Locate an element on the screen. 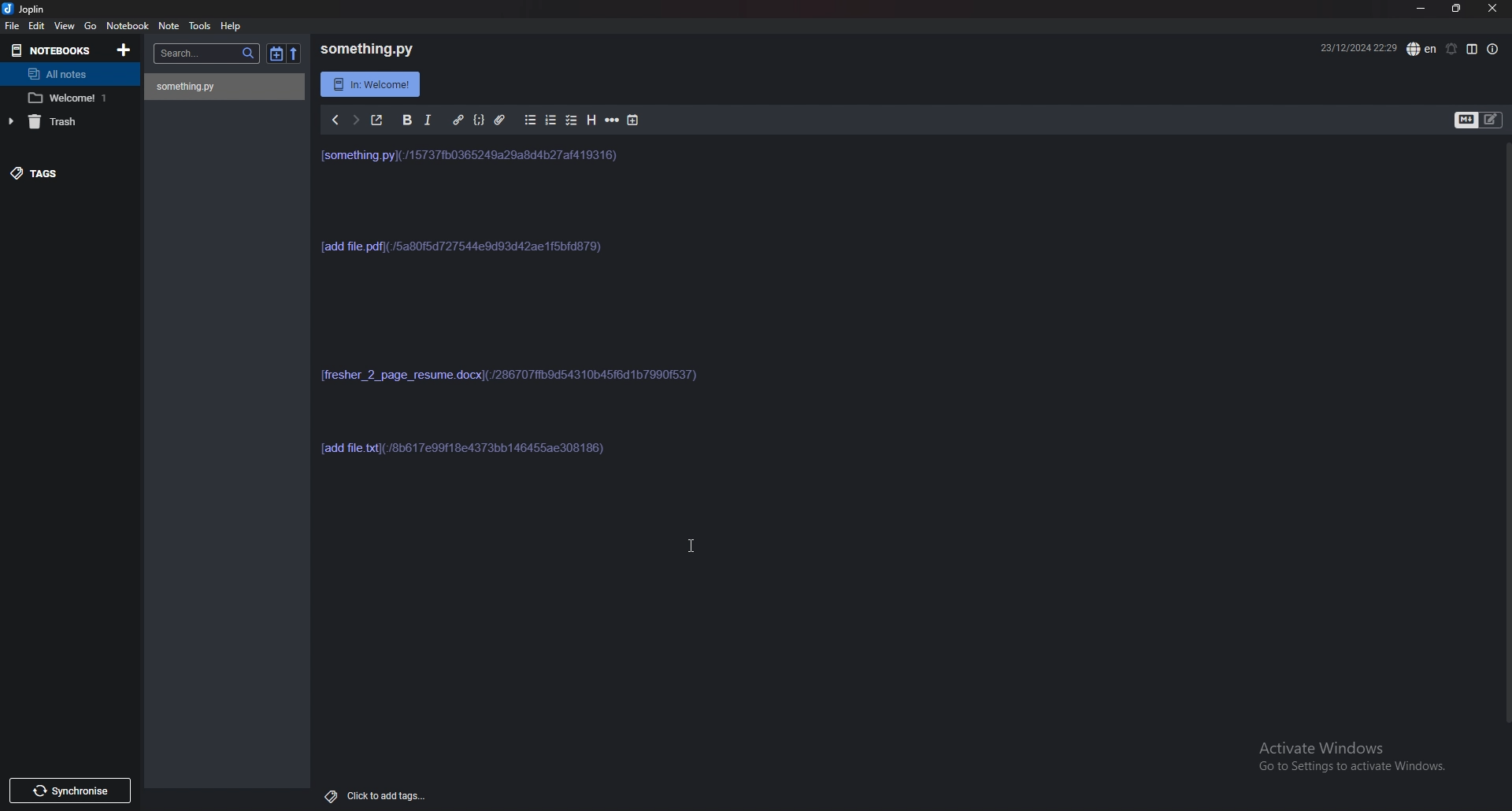 This screenshot has width=1512, height=811. Bold is located at coordinates (406, 120).